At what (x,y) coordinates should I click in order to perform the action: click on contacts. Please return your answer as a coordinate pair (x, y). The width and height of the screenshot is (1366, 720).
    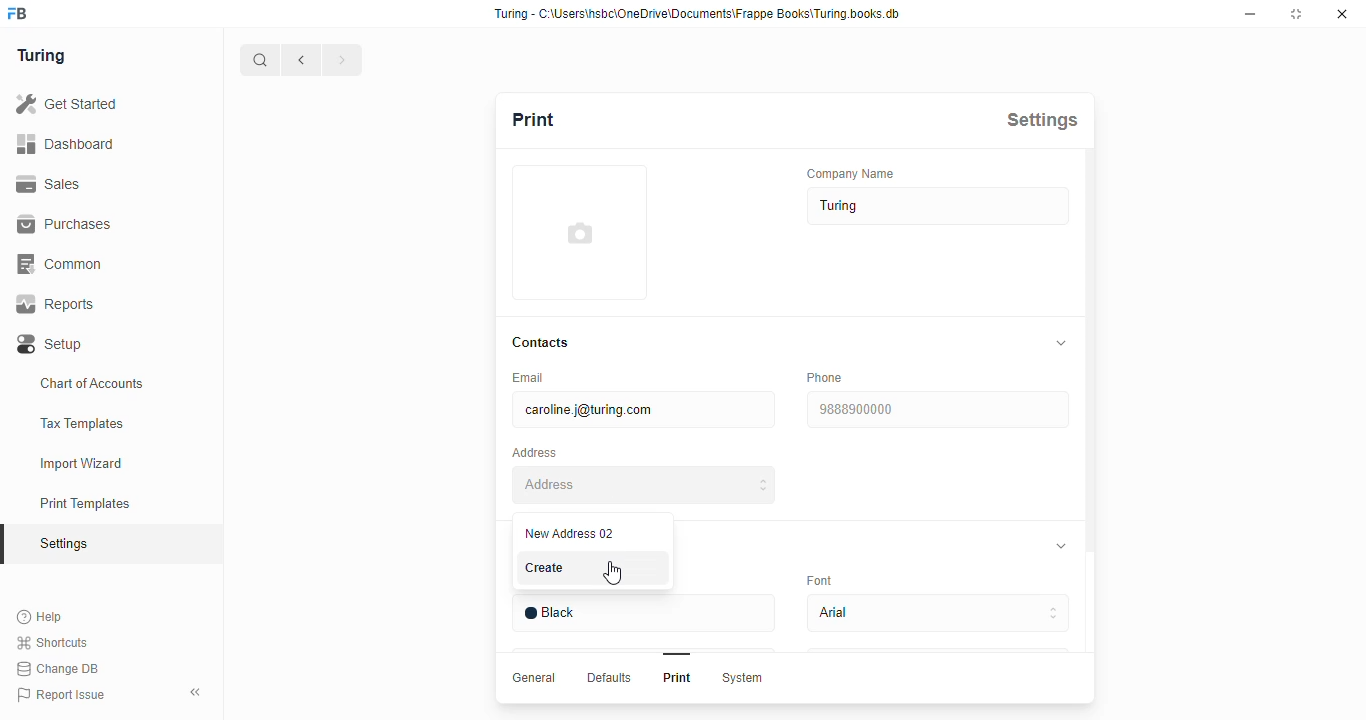
    Looking at the image, I should click on (542, 343).